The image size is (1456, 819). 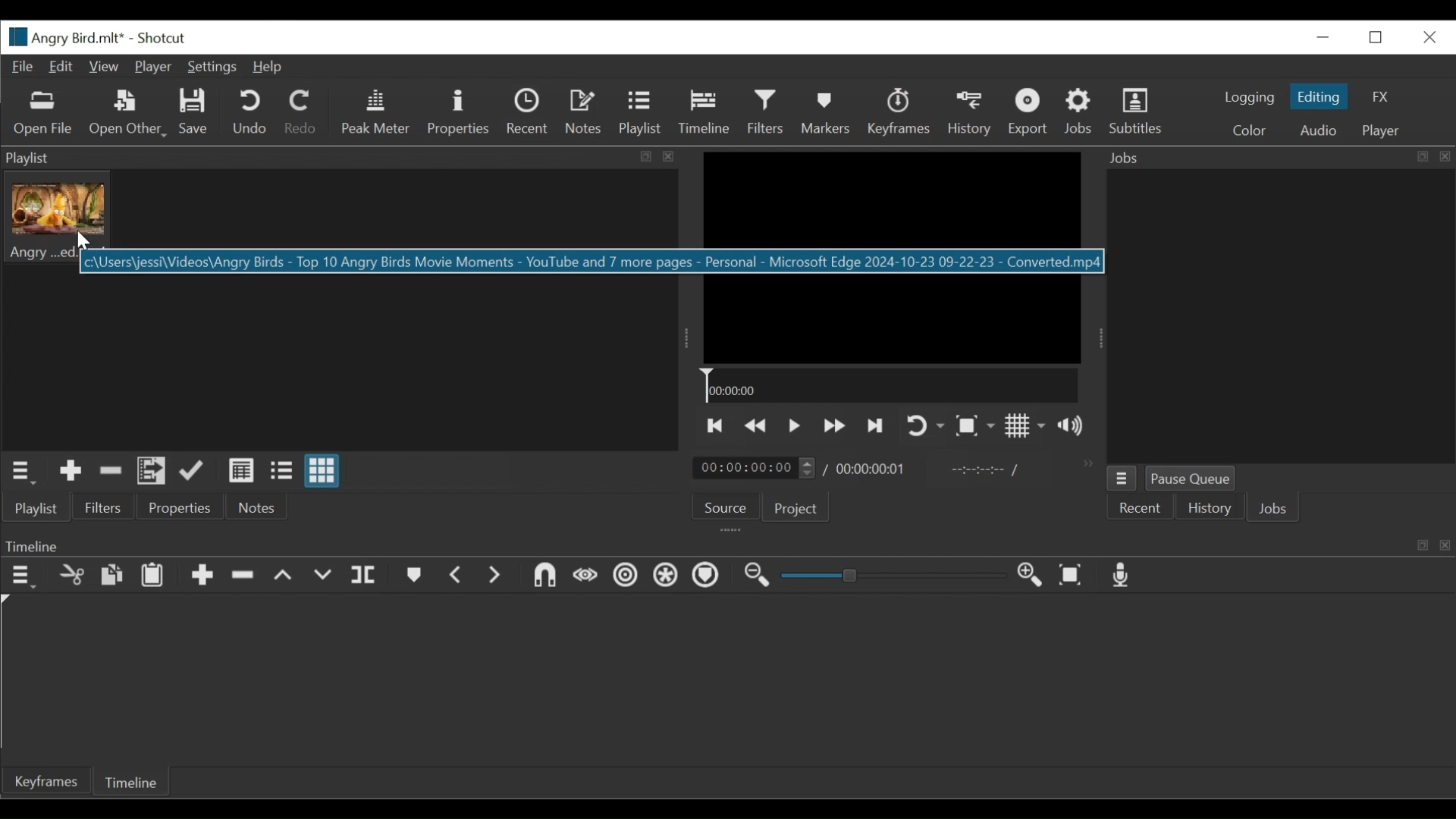 What do you see at coordinates (406, 262) in the screenshot?
I see `File Information` at bounding box center [406, 262].